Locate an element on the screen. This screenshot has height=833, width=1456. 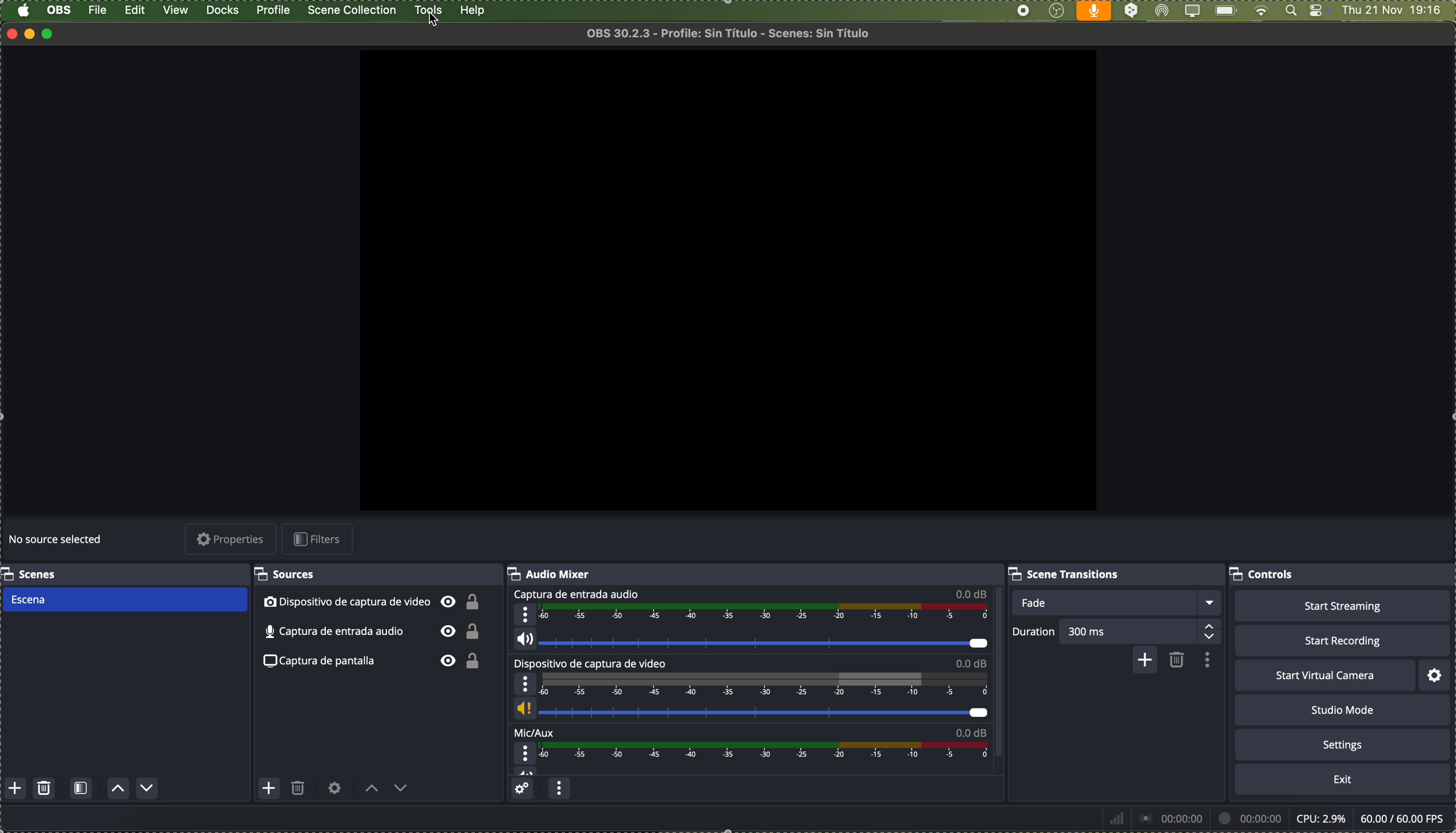
start virtual camera is located at coordinates (1324, 676).